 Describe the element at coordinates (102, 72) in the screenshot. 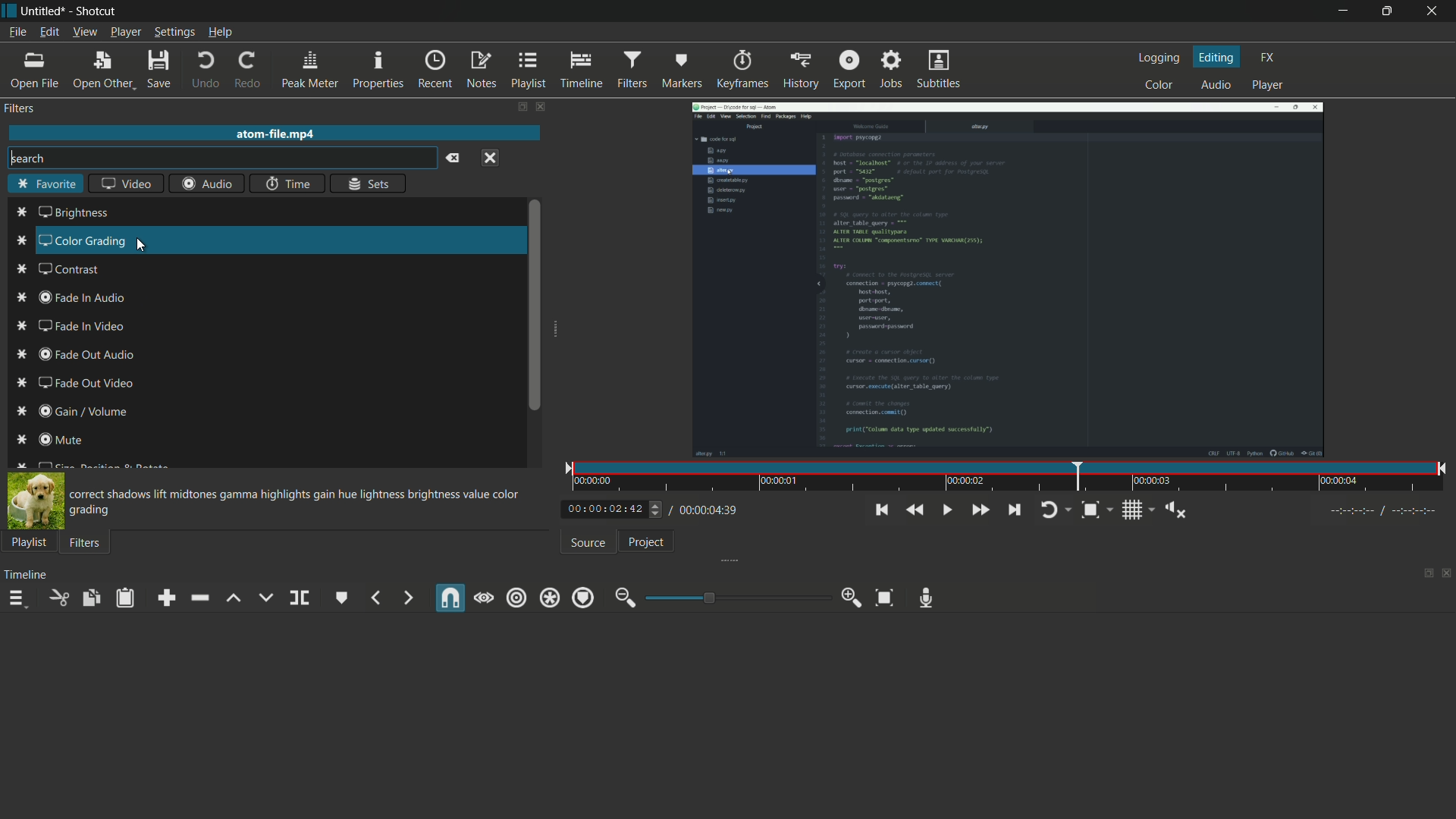

I see `open other` at that location.